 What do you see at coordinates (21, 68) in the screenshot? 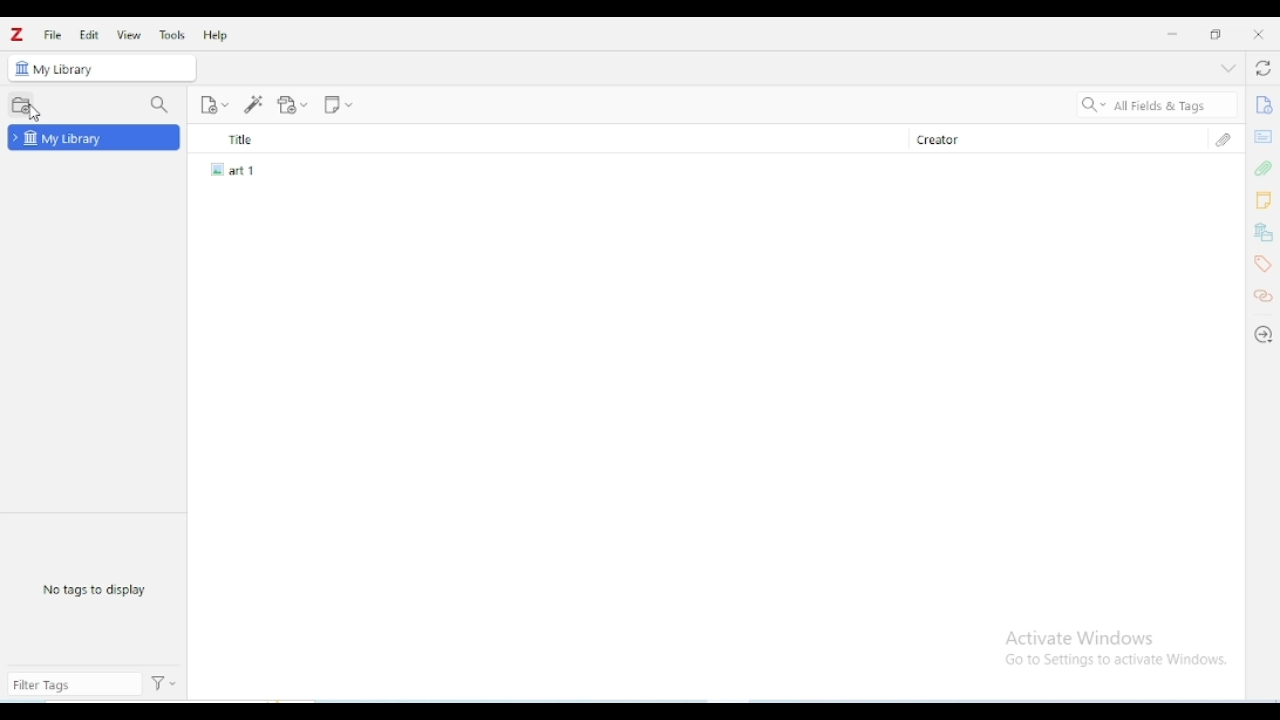
I see `icon` at bounding box center [21, 68].